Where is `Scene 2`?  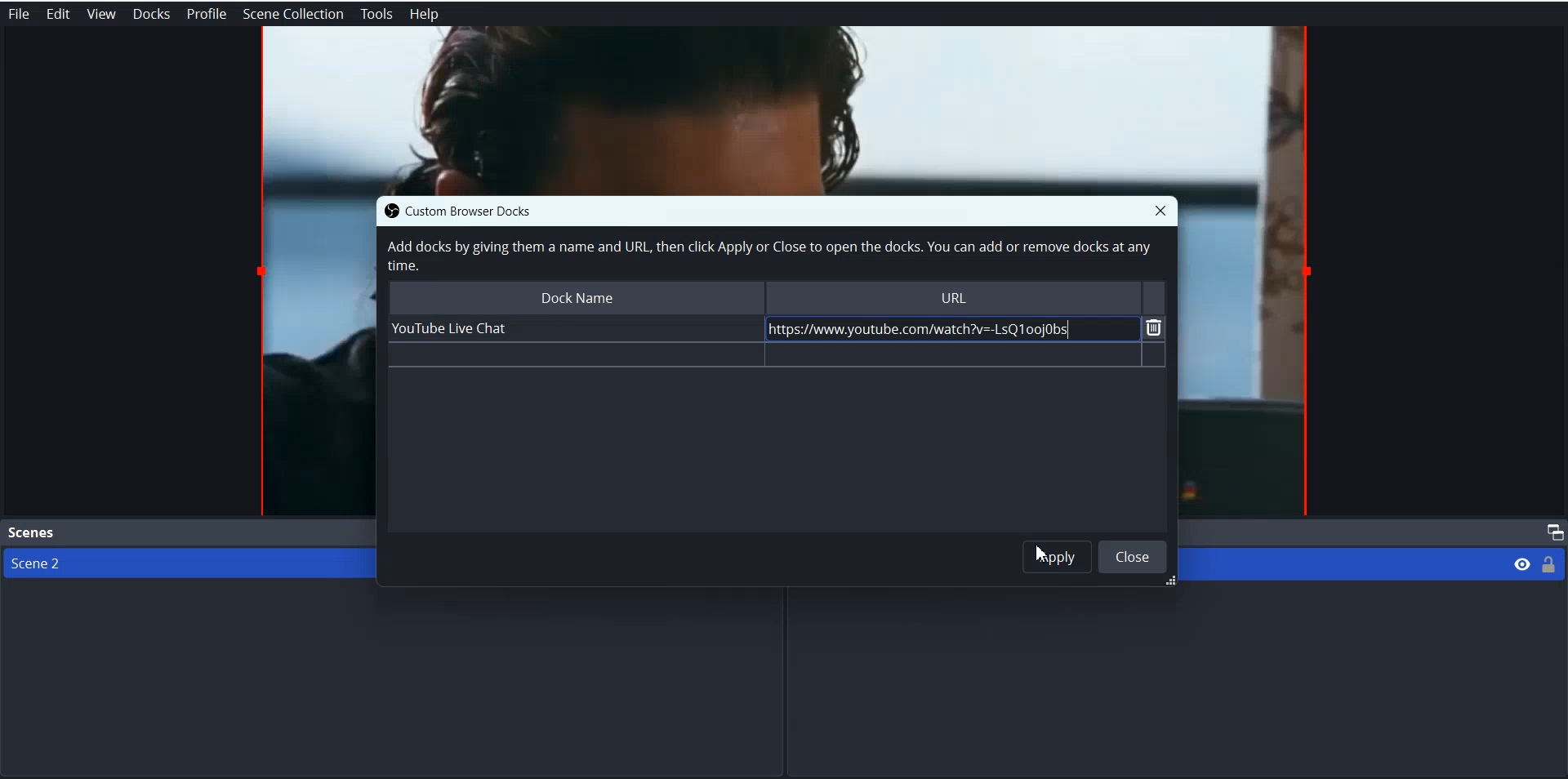
Scene 2 is located at coordinates (180, 563).